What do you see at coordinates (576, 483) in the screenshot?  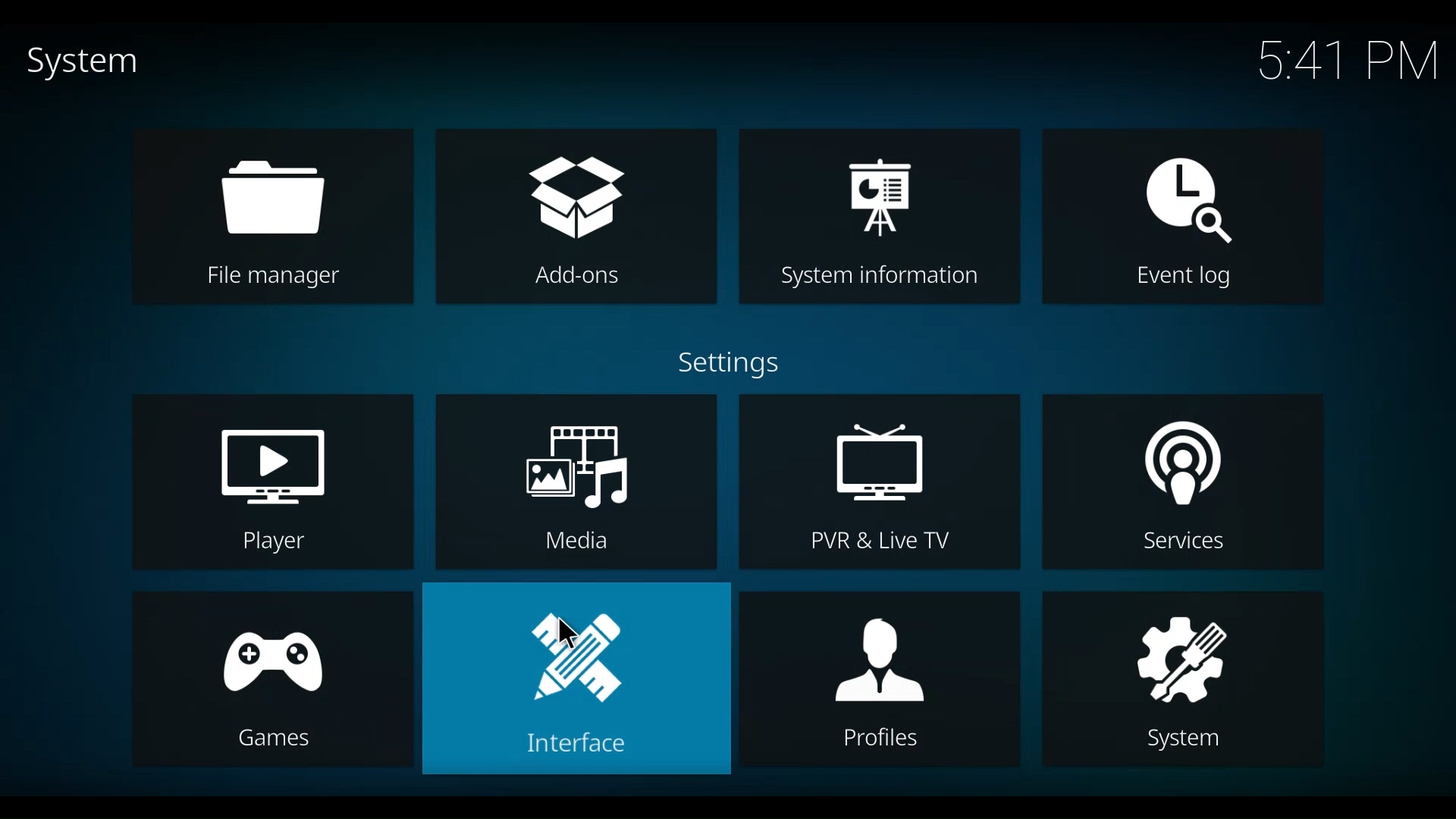 I see `Media ` at bounding box center [576, 483].